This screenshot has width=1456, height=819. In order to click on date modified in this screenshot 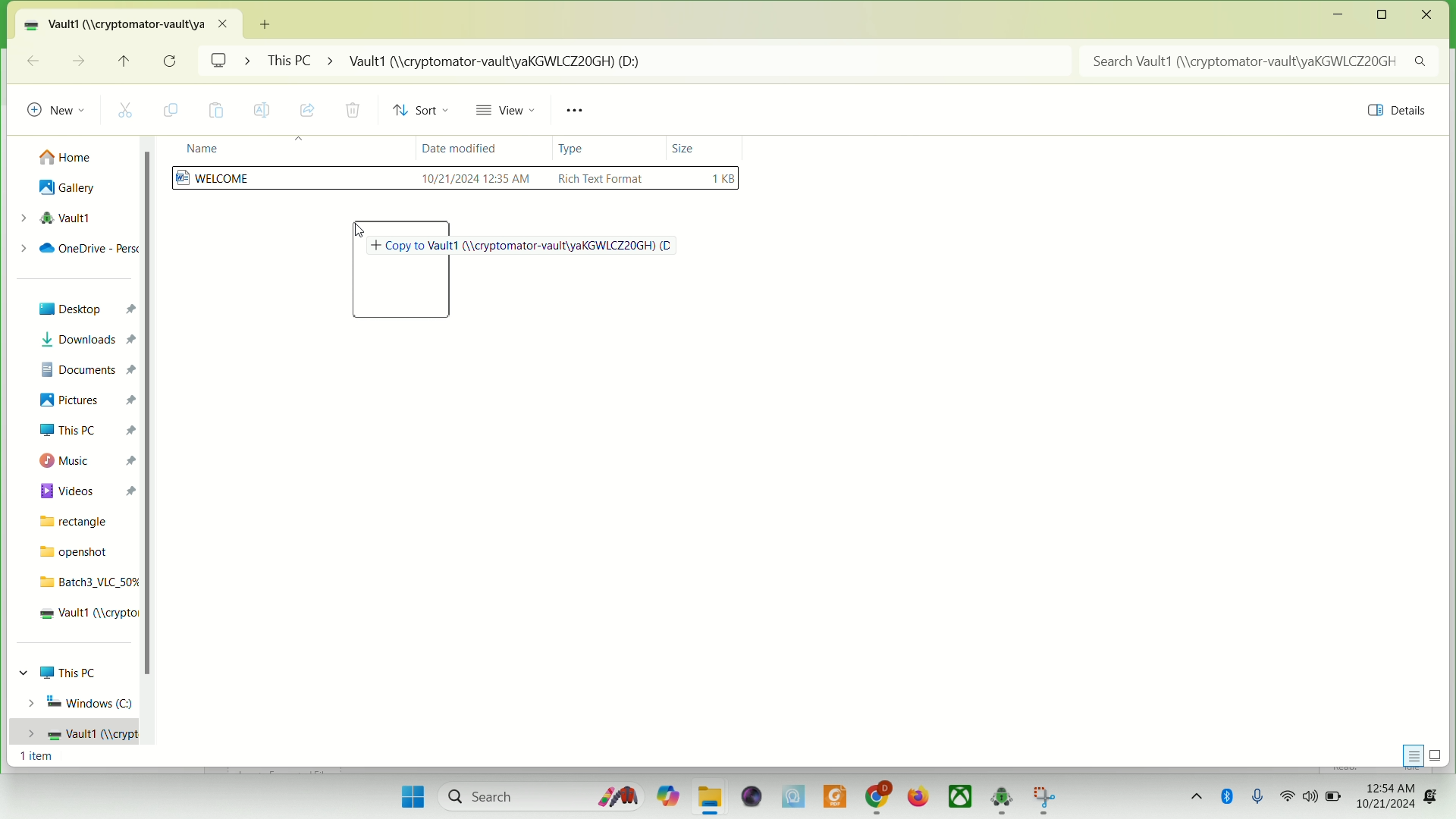, I will do `click(457, 151)`.